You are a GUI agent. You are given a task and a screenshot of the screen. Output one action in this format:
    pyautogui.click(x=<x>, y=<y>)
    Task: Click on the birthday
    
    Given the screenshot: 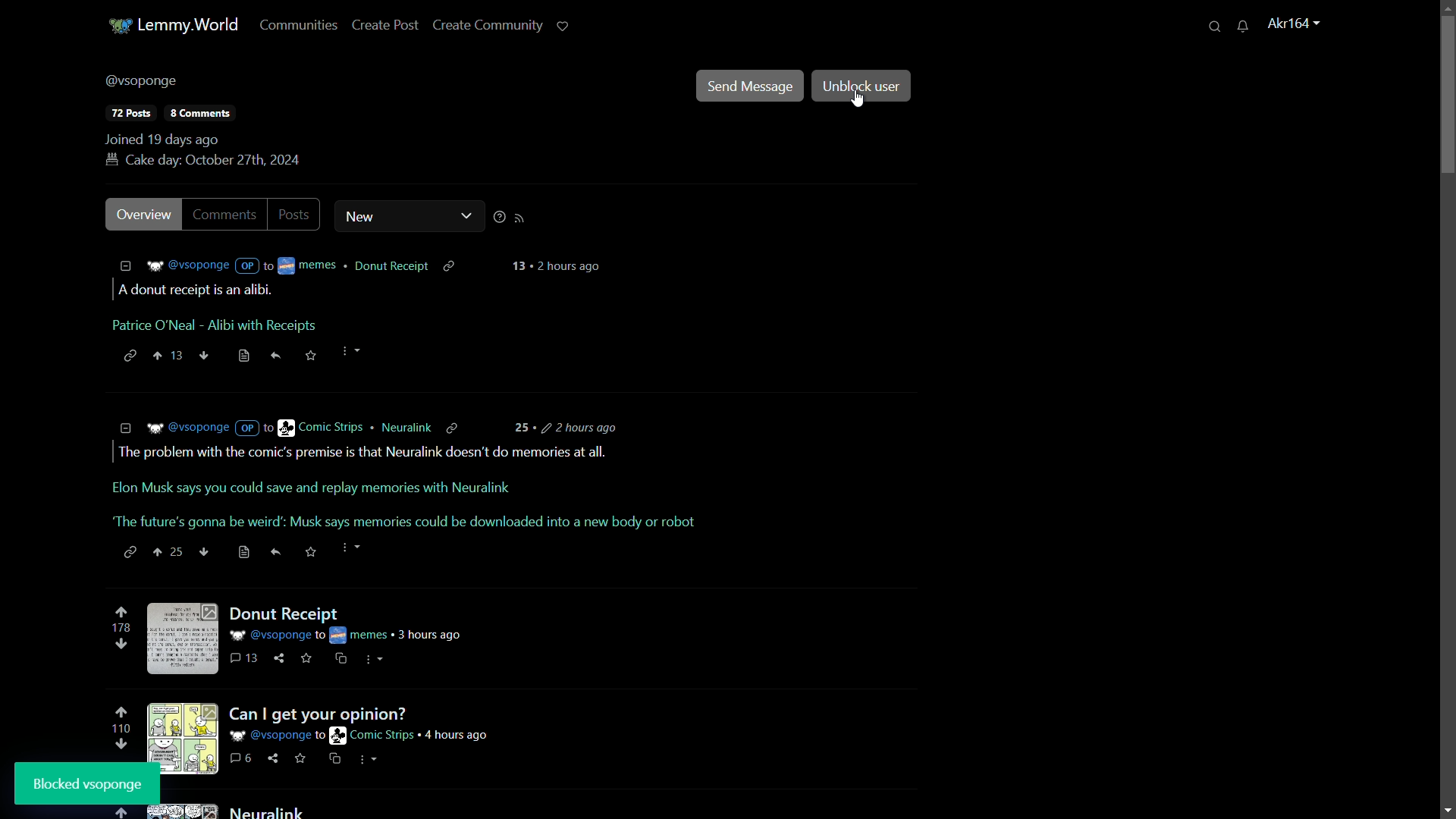 What is the action you would take?
    pyautogui.click(x=202, y=161)
    